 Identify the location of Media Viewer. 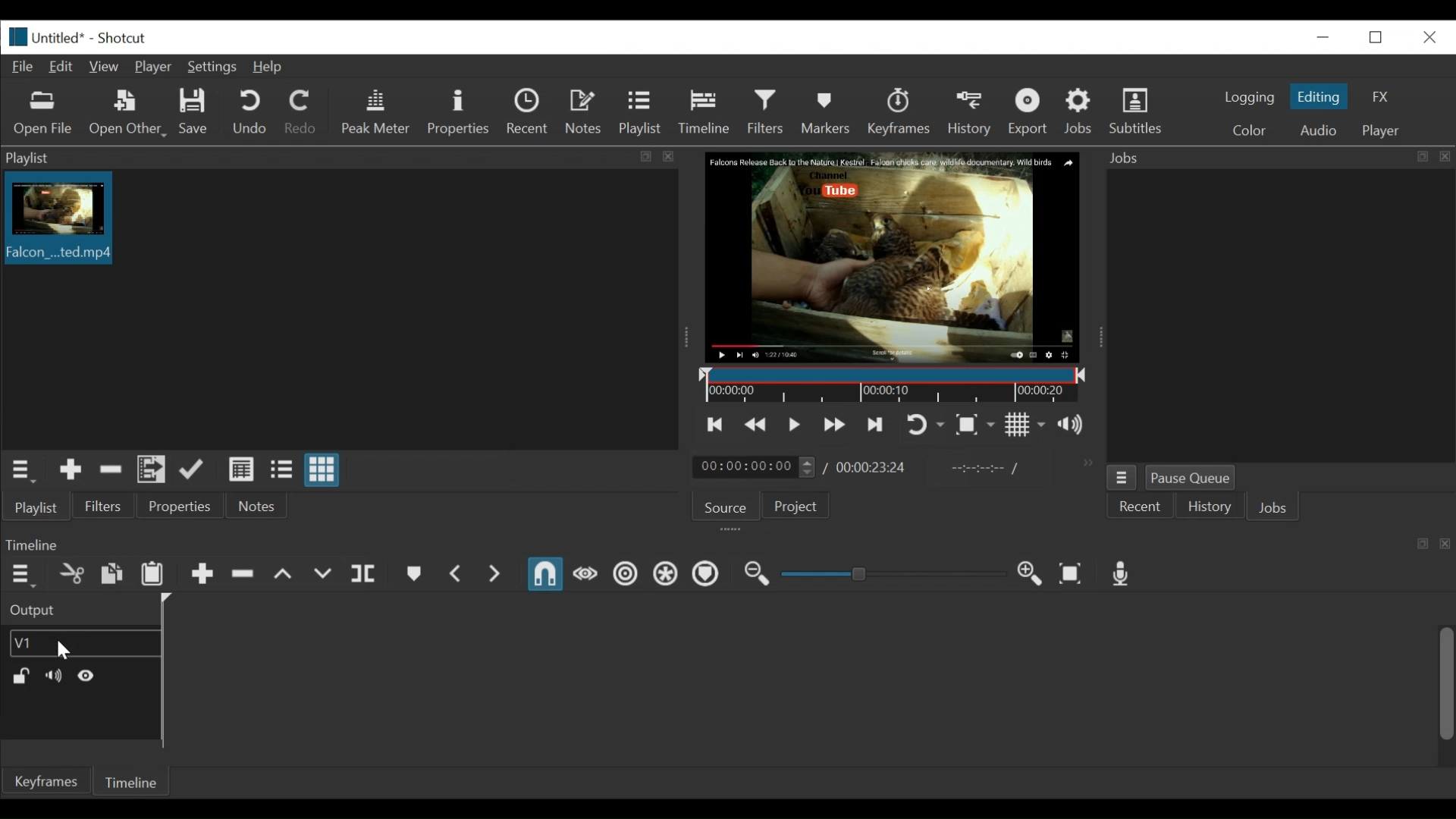
(893, 259).